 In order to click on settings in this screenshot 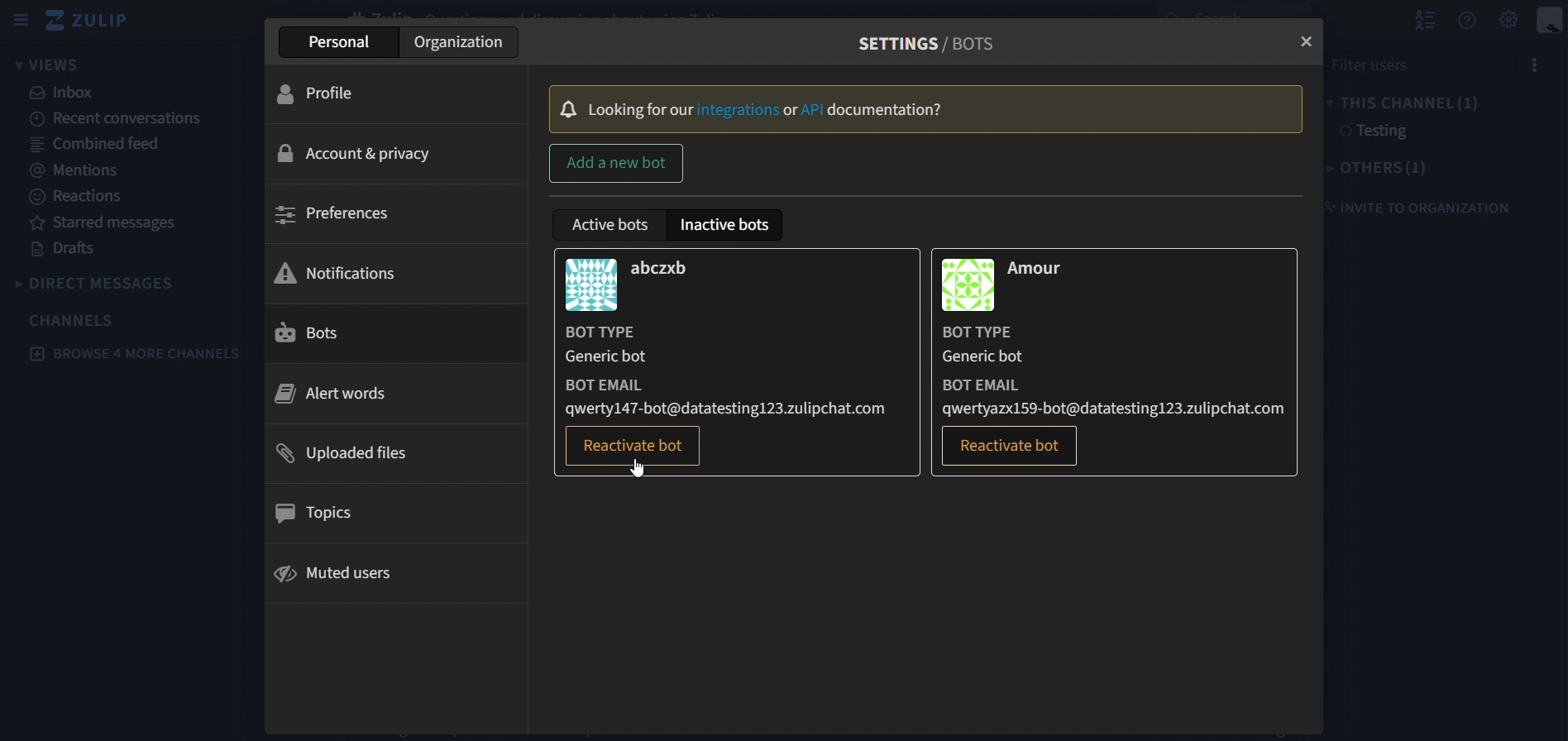, I will do `click(1510, 18)`.